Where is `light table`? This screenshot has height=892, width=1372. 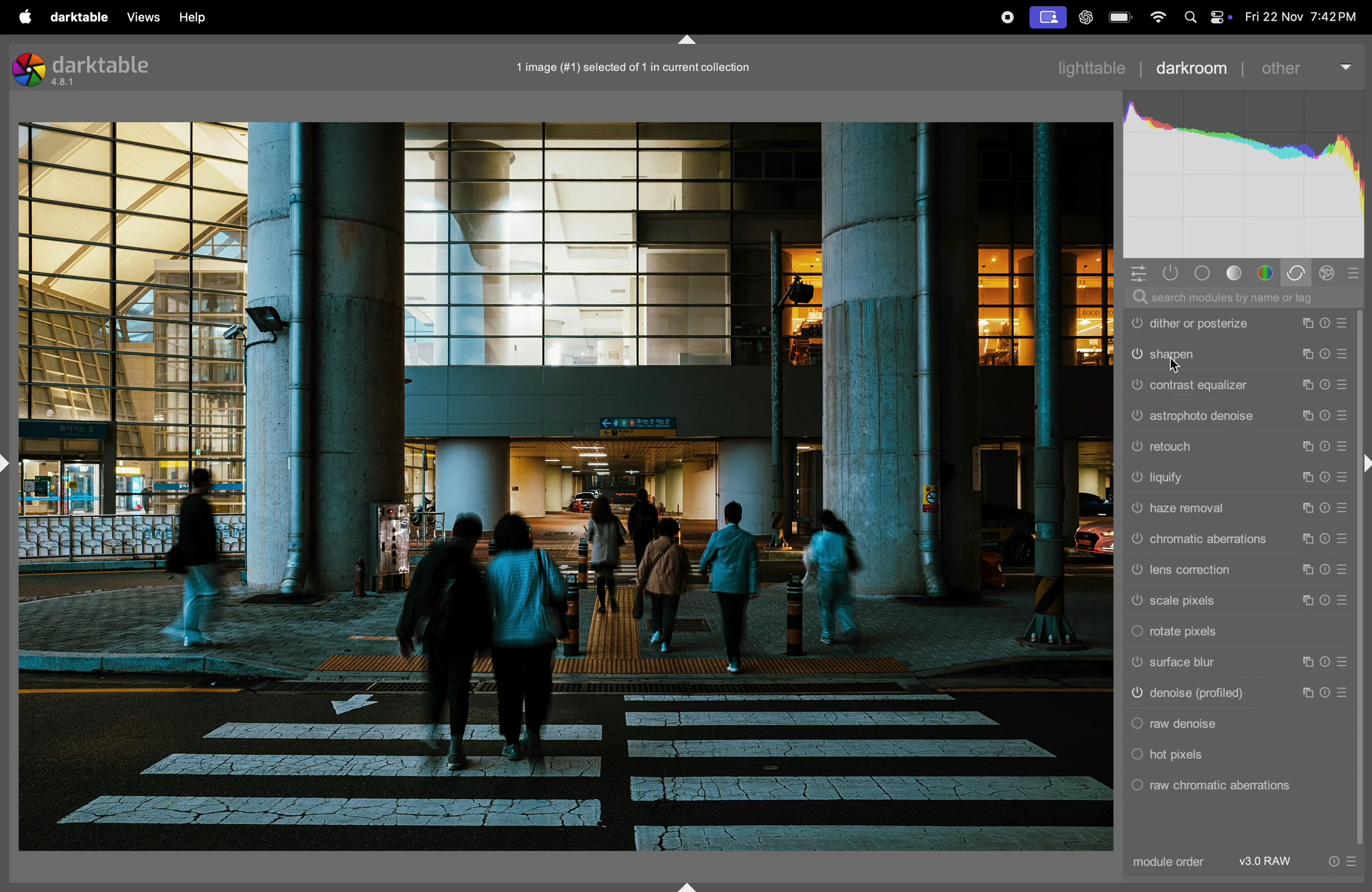 light table is located at coordinates (1099, 66).